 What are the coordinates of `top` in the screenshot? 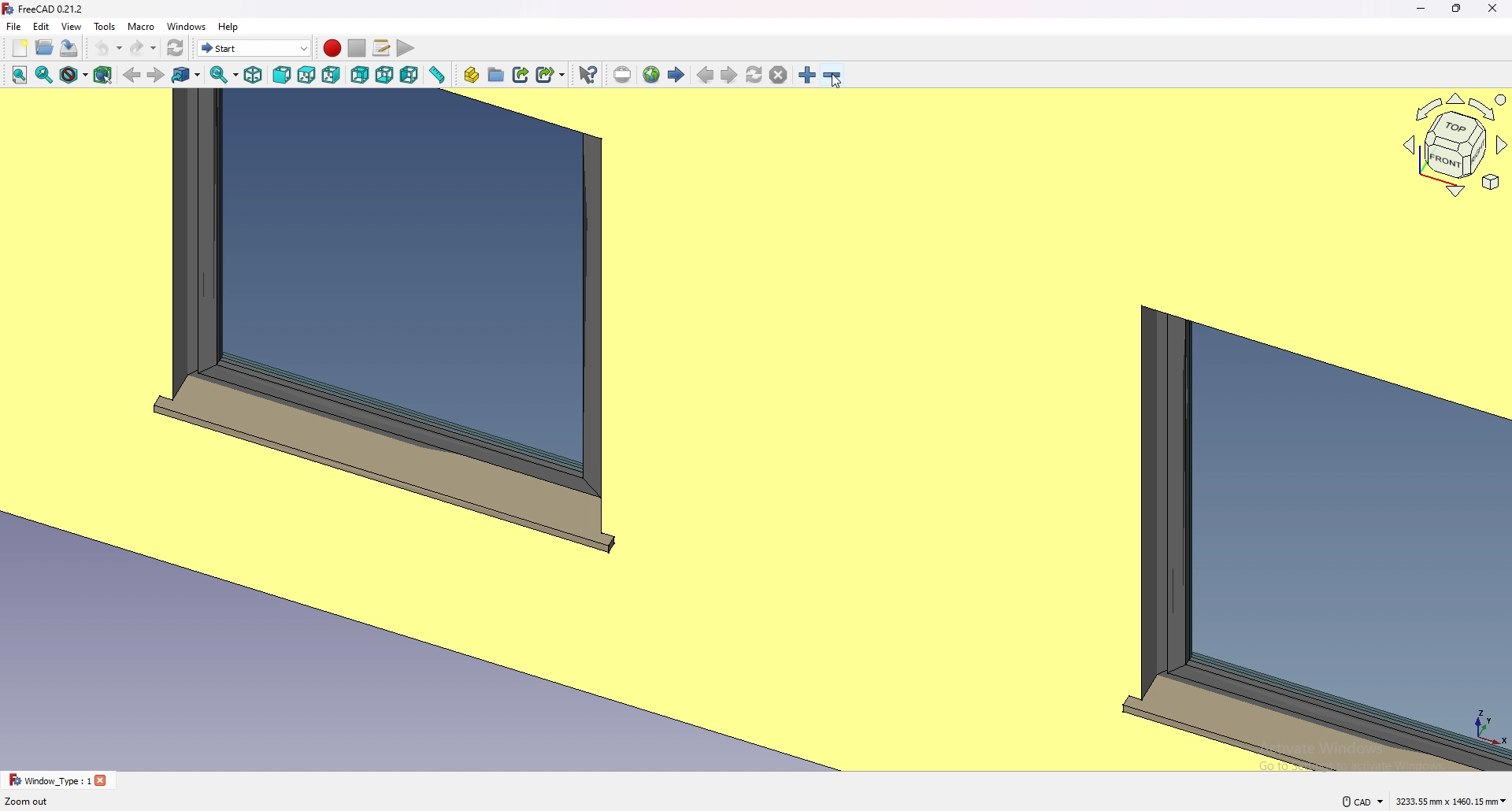 It's located at (307, 75).